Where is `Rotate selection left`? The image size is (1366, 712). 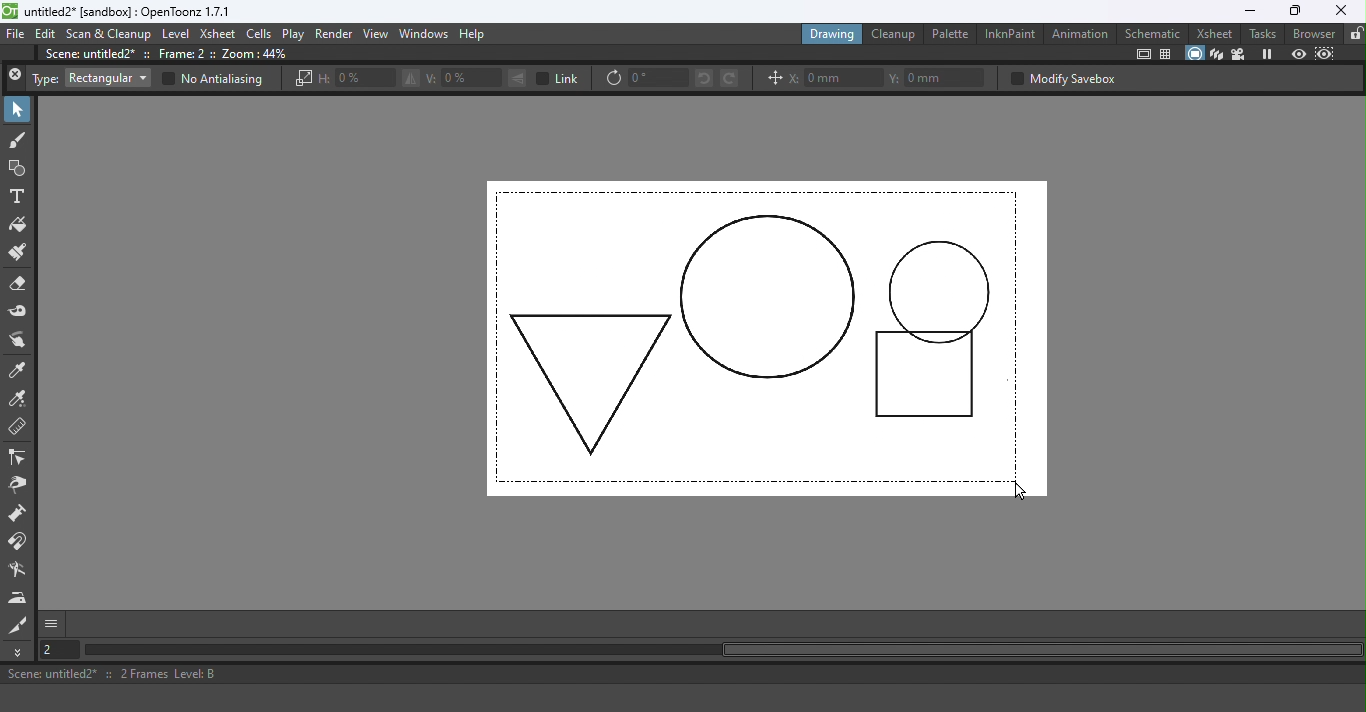
Rotate selection left is located at coordinates (702, 77).